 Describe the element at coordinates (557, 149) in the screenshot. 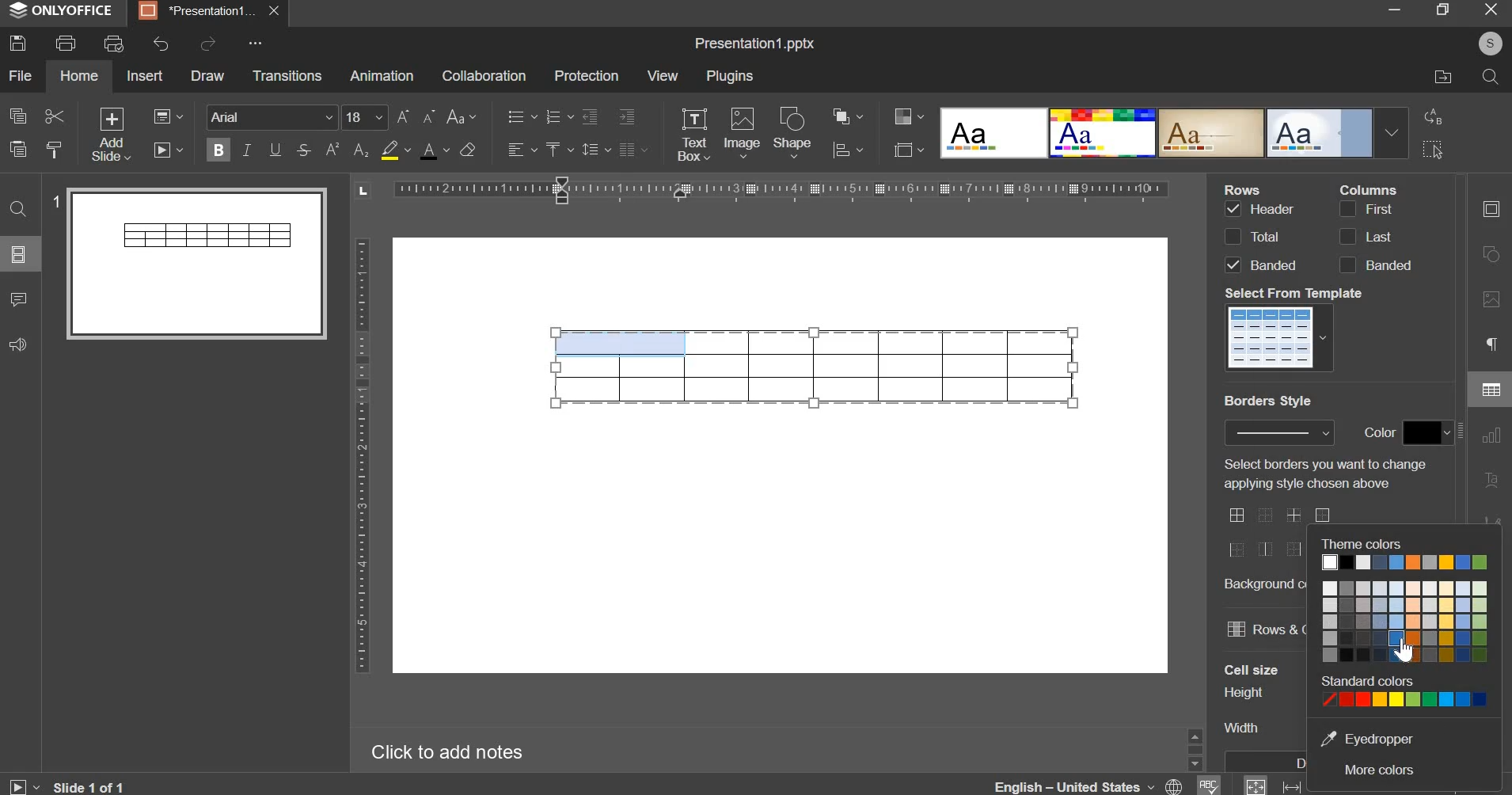

I see `vertical alignment` at that location.